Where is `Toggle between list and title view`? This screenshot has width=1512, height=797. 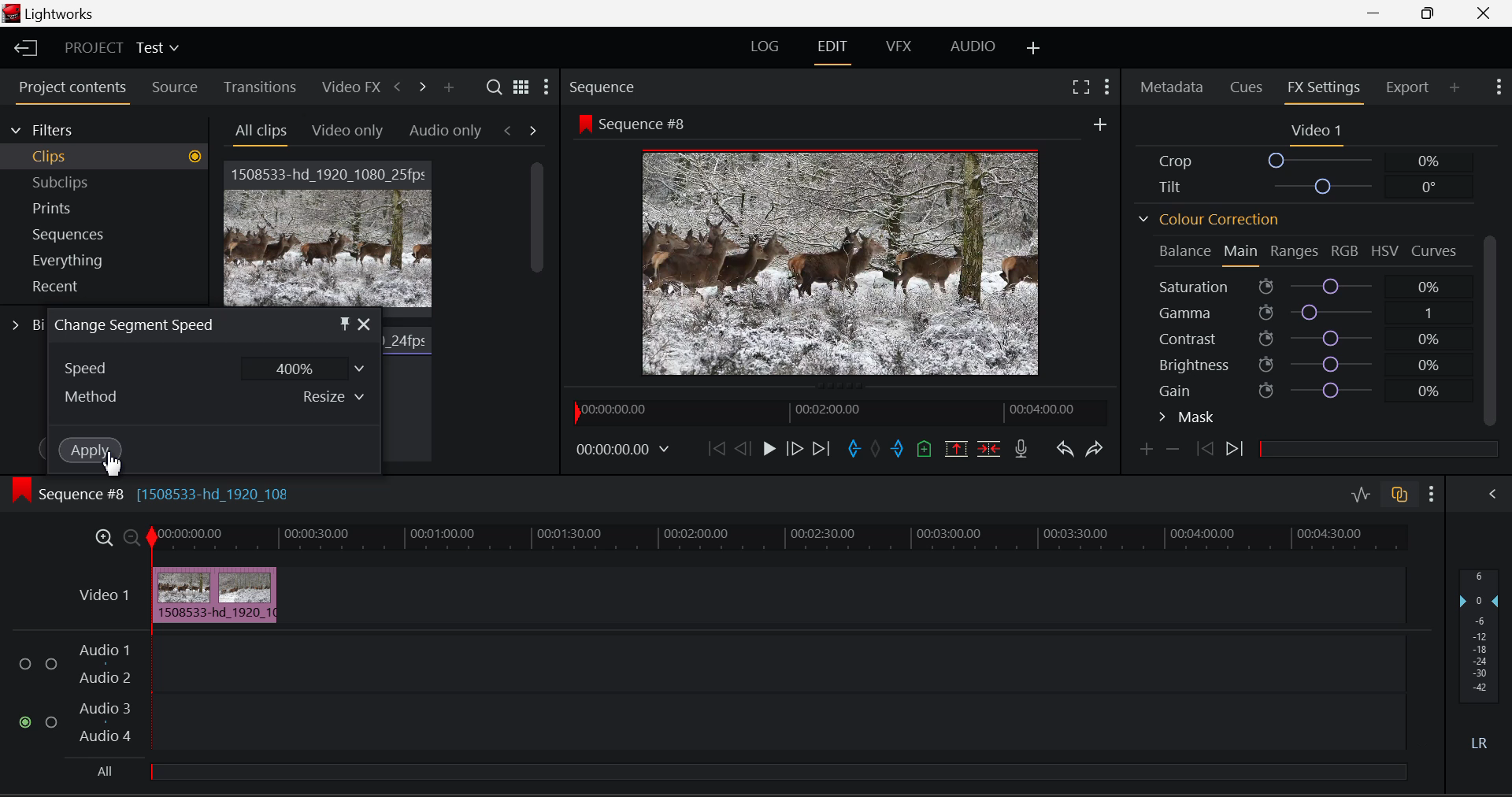 Toggle between list and title view is located at coordinates (523, 87).